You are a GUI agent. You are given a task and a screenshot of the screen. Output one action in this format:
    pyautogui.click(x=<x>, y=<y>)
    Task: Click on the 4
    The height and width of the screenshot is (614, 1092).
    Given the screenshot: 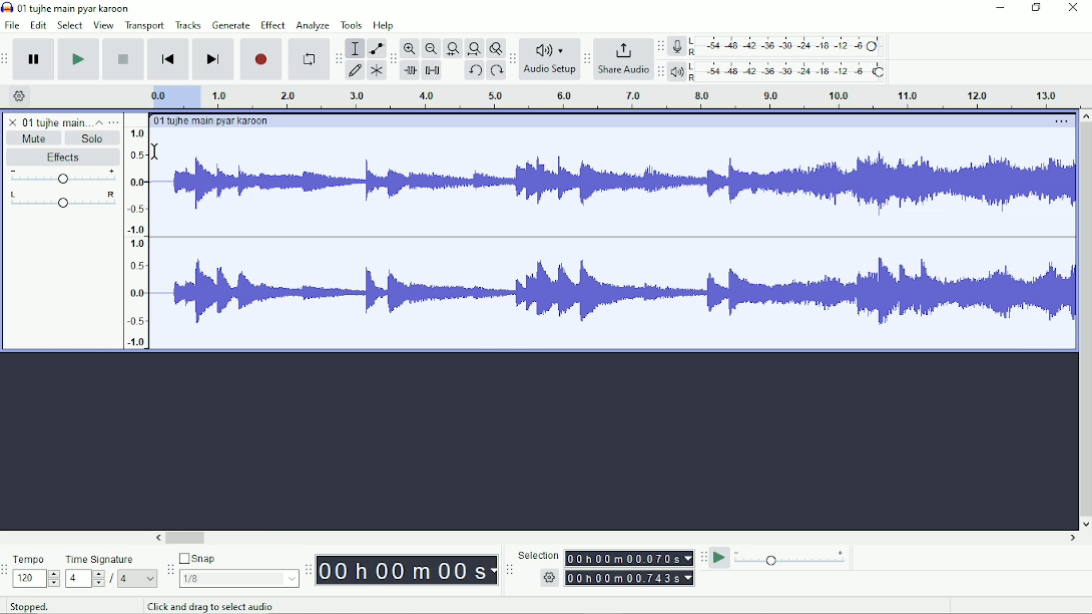 What is the action you would take?
    pyautogui.click(x=137, y=578)
    